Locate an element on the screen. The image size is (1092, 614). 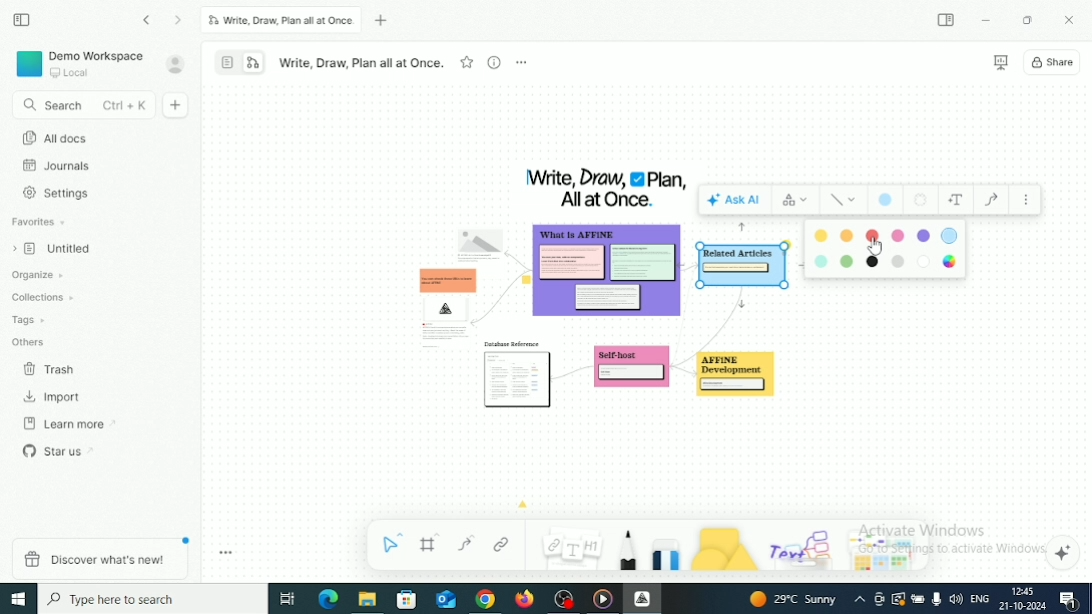
Select is located at coordinates (394, 542).